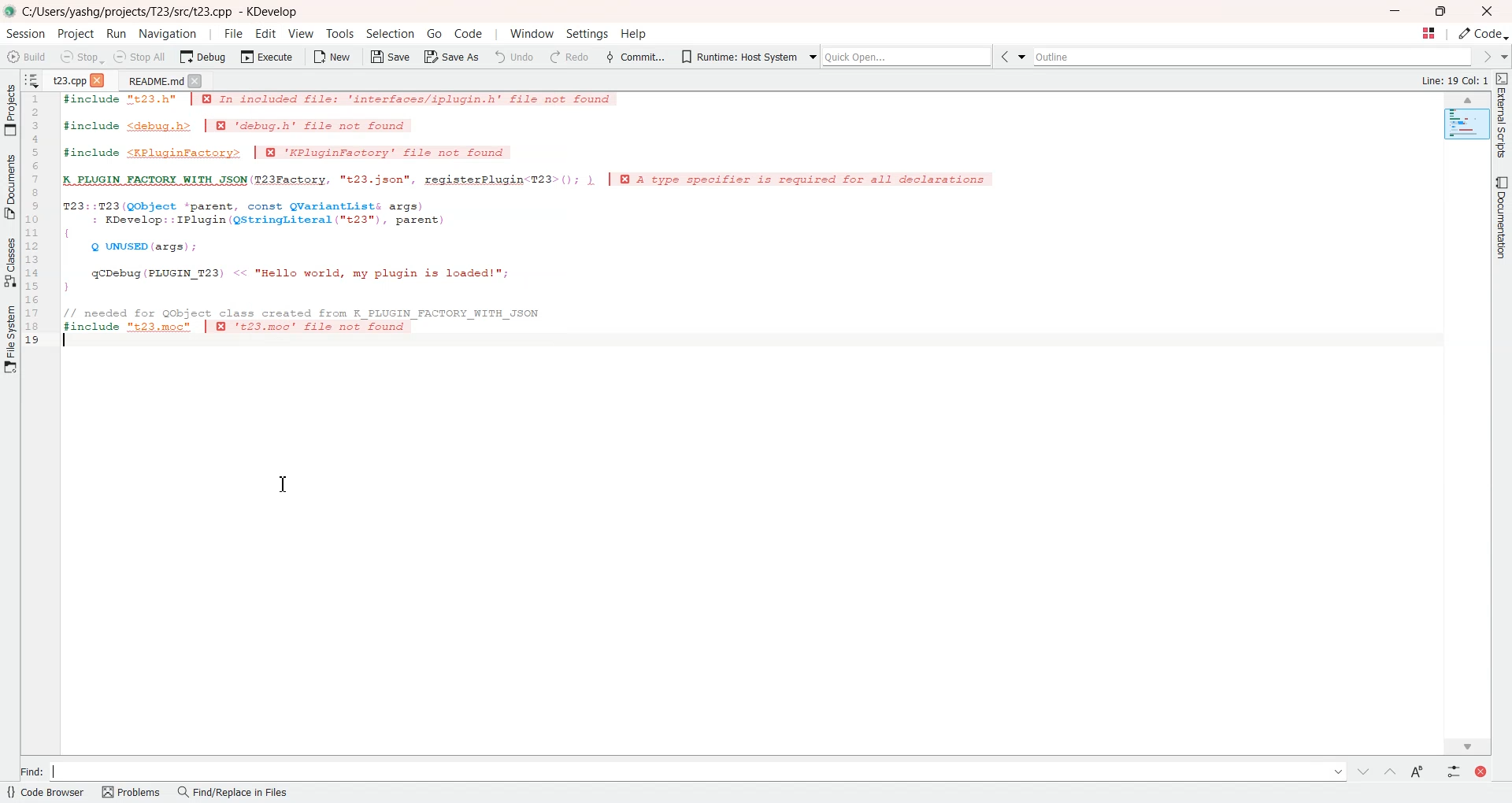  Describe the element at coordinates (514, 56) in the screenshot. I see `Undo` at that location.